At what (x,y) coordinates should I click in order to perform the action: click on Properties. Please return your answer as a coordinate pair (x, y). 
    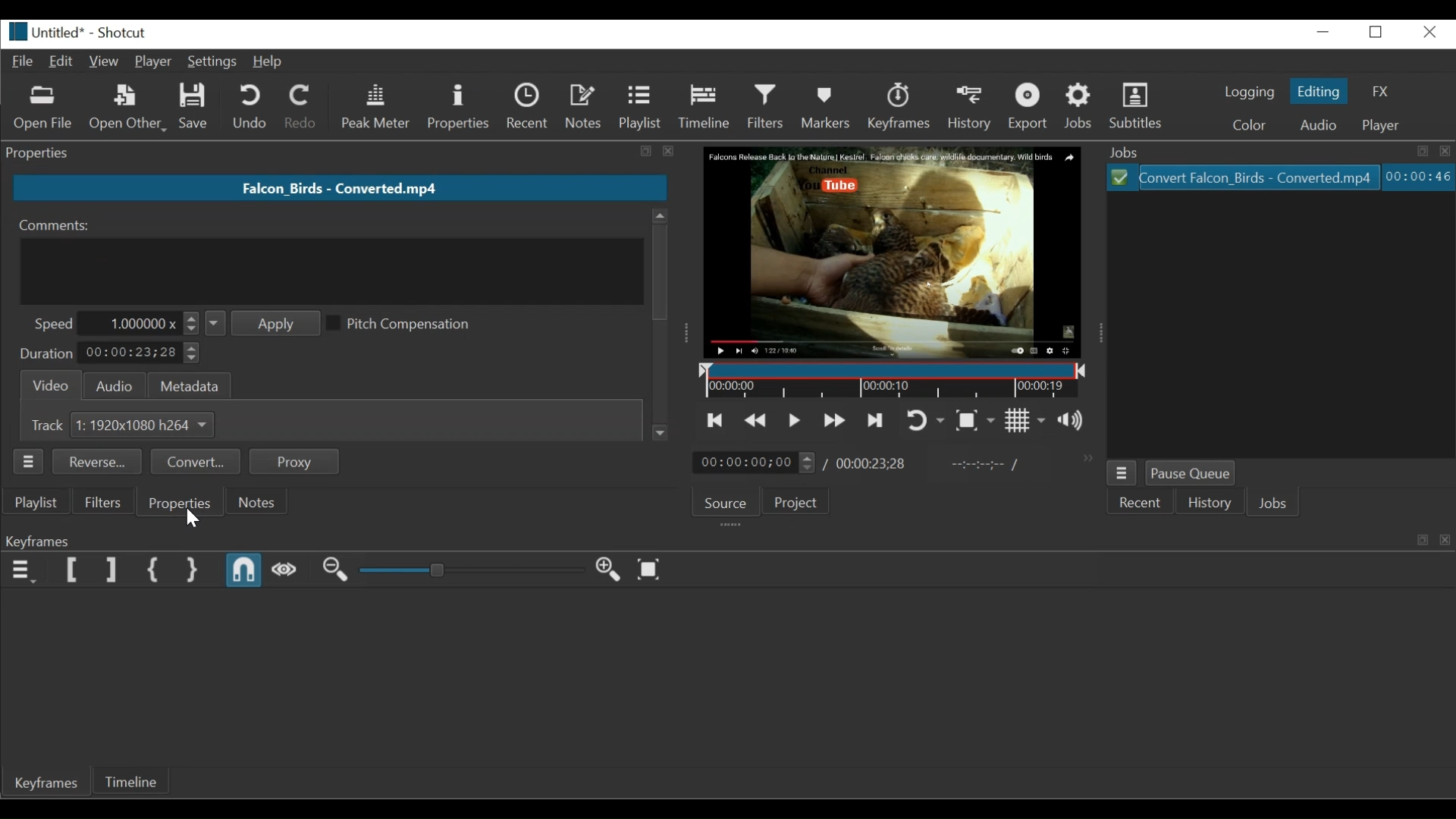
    Looking at the image, I should click on (177, 502).